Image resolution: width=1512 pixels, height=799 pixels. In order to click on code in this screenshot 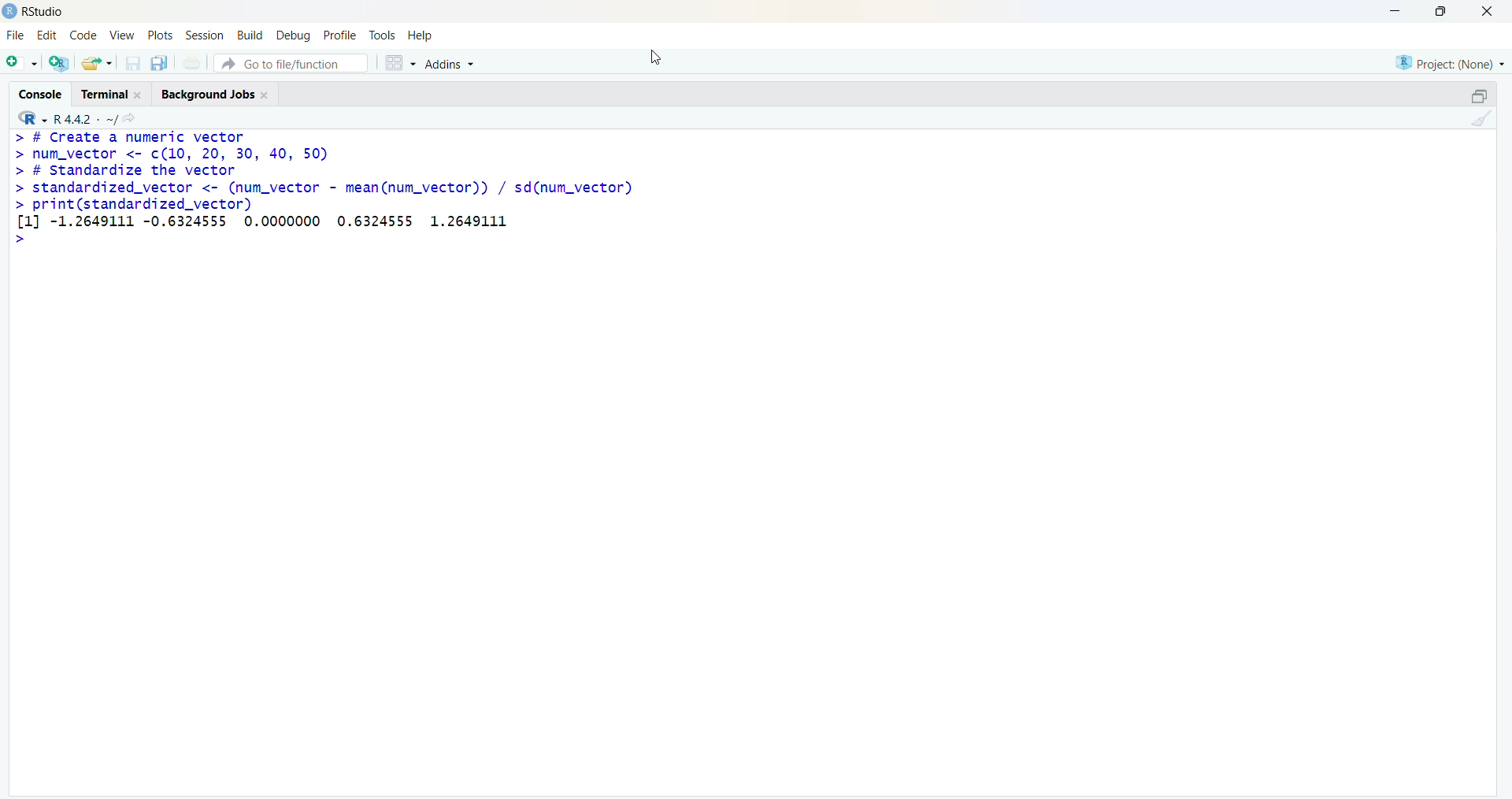, I will do `click(83, 35)`.